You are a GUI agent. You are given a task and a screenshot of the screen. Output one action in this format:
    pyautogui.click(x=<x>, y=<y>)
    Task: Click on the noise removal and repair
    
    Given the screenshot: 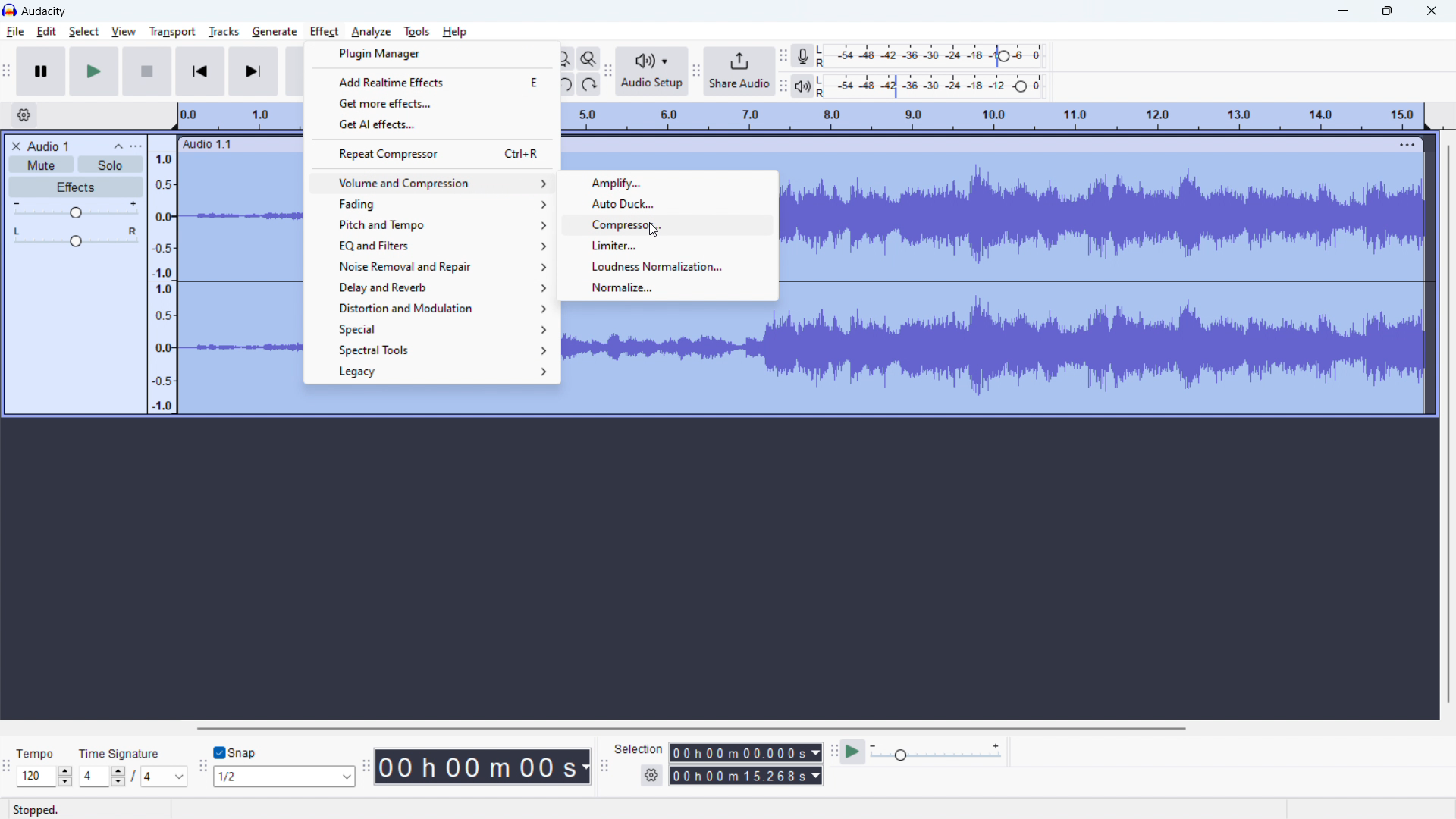 What is the action you would take?
    pyautogui.click(x=428, y=265)
    